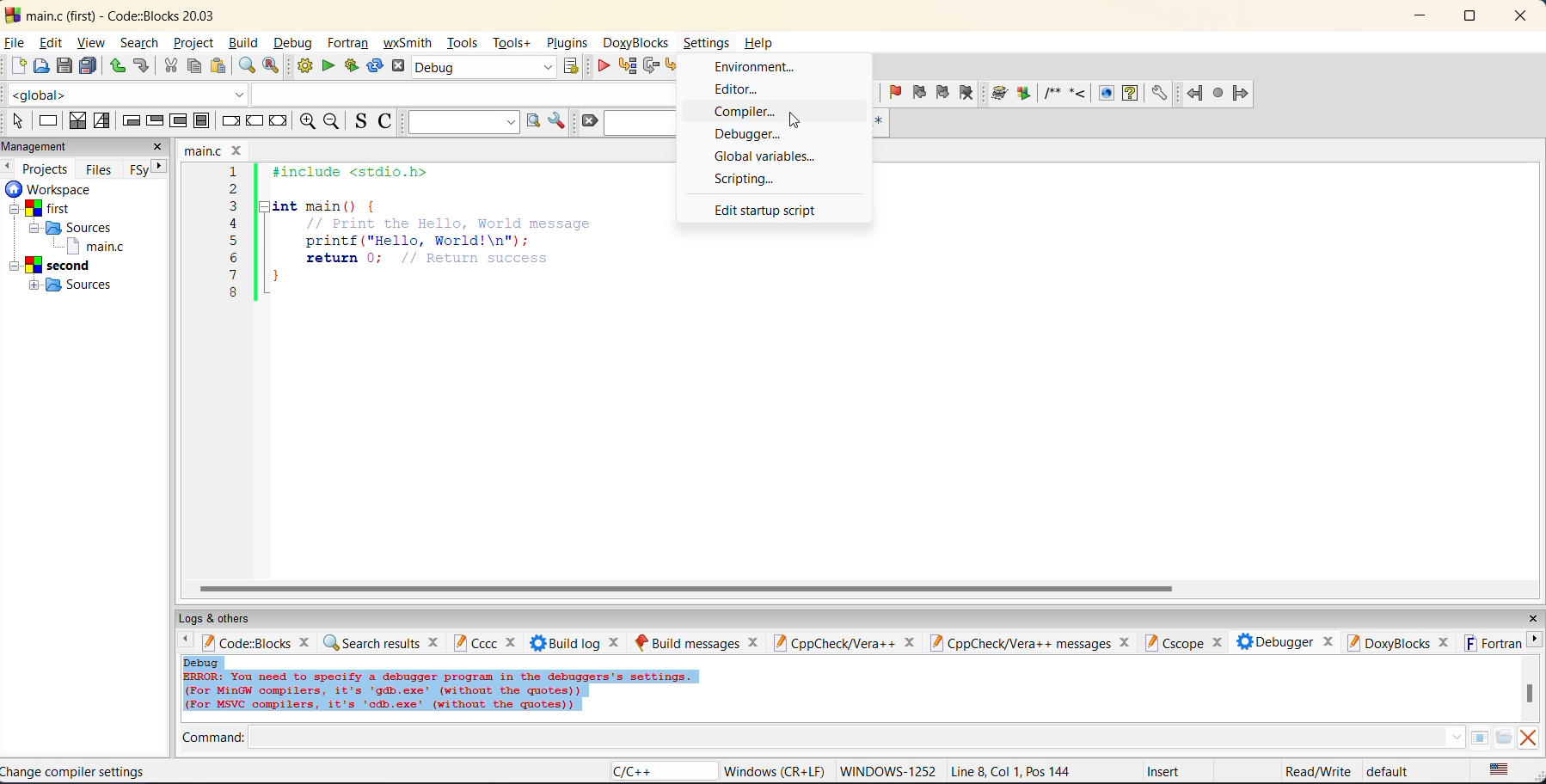 The image size is (1546, 784). Describe the element at coordinates (1108, 93) in the screenshot. I see `run html documentation` at that location.